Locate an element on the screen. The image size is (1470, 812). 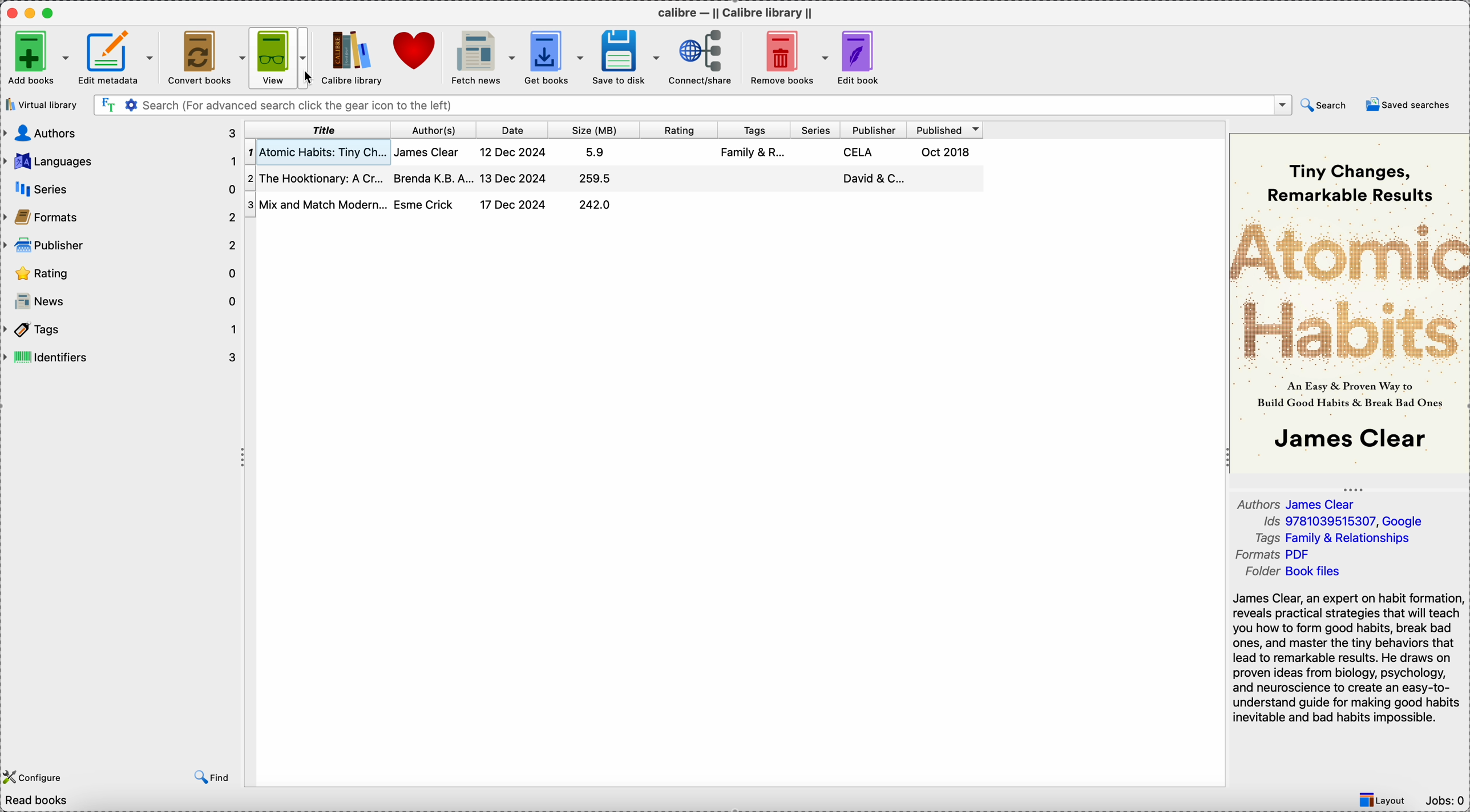
find is located at coordinates (209, 775).